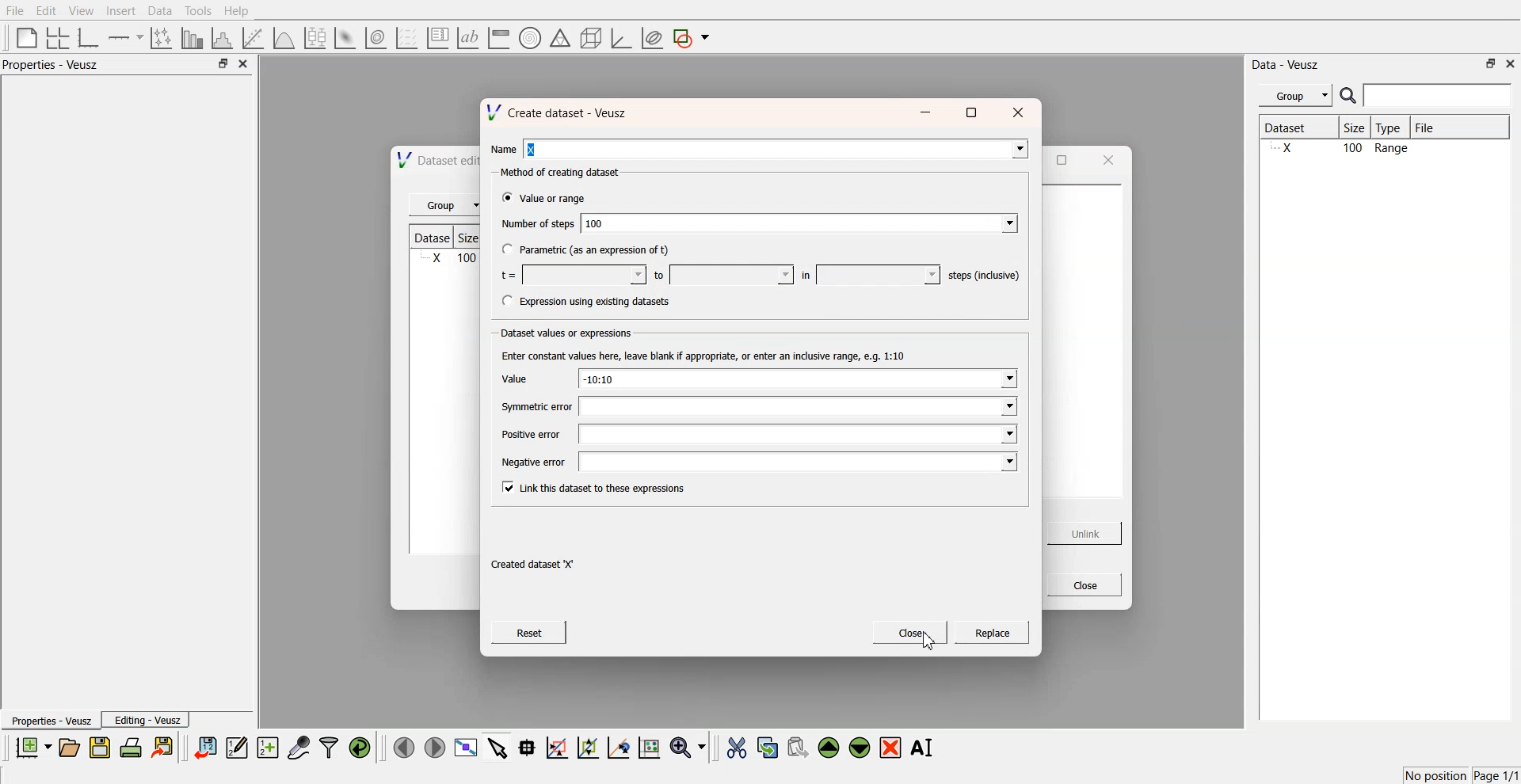 The height and width of the screenshot is (784, 1521). What do you see at coordinates (1287, 65) in the screenshot?
I see `Data - Veusz` at bounding box center [1287, 65].